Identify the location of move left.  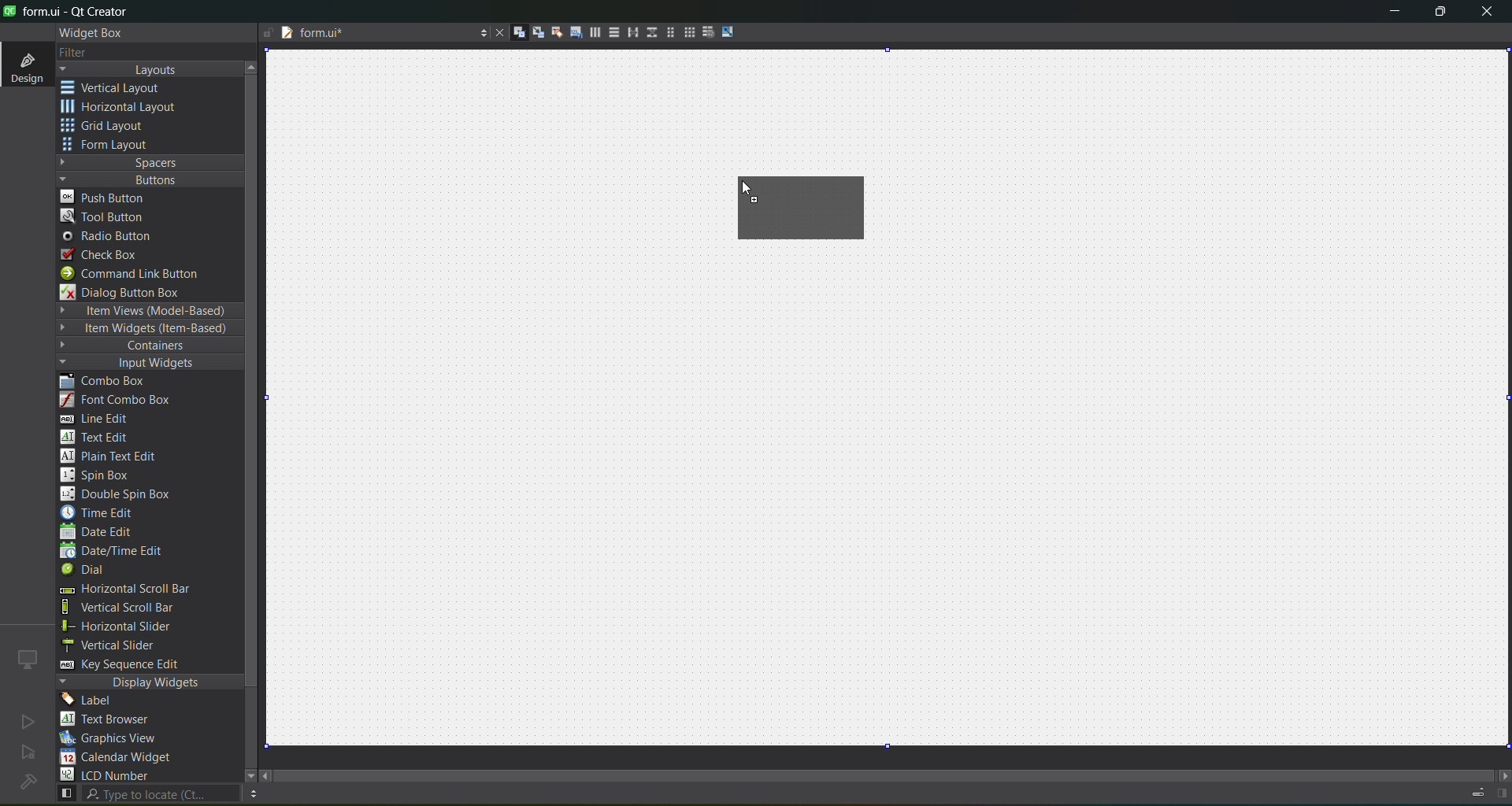
(268, 777).